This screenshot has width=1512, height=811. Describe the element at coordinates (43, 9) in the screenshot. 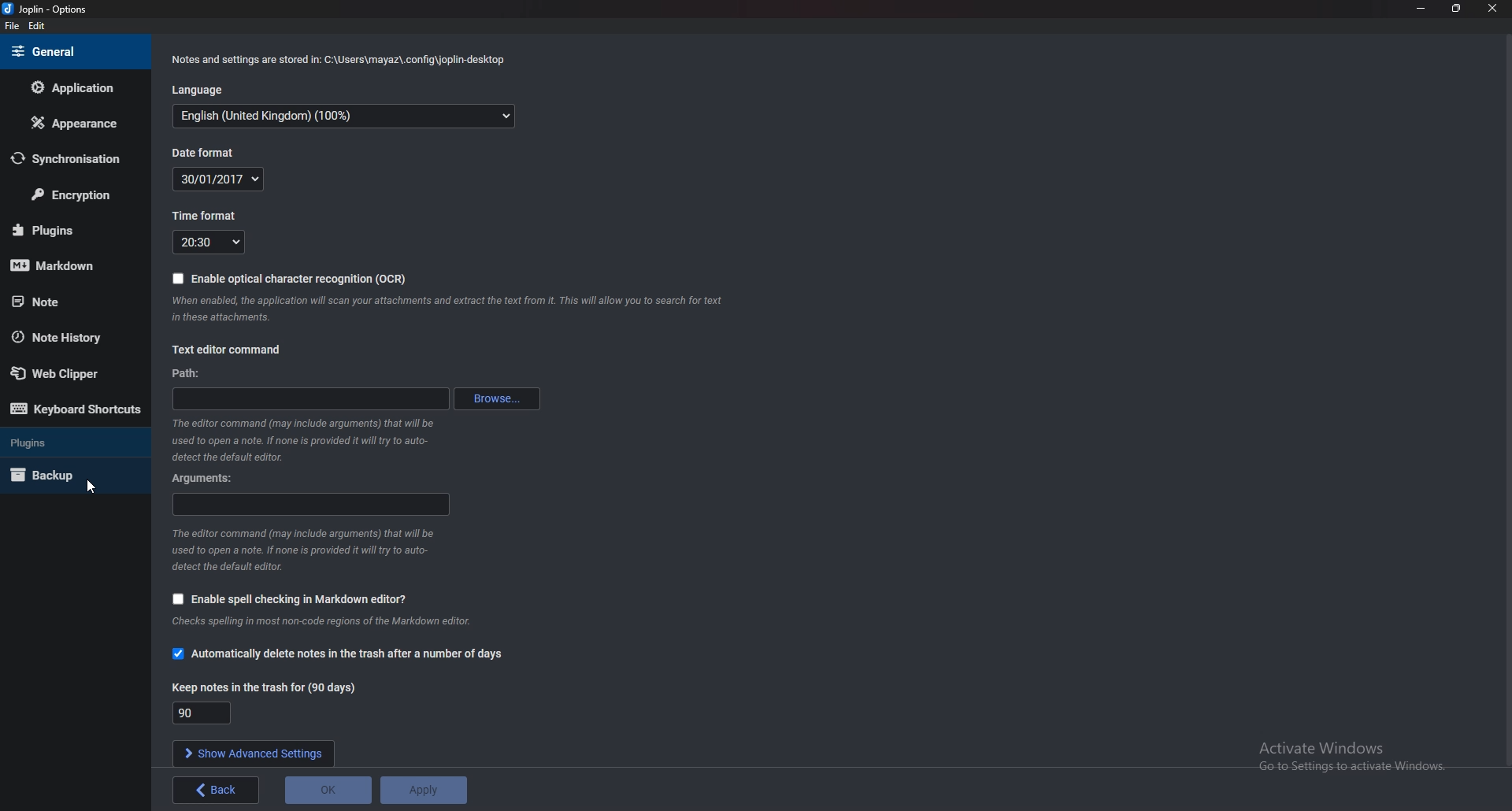

I see `Joplin` at that location.